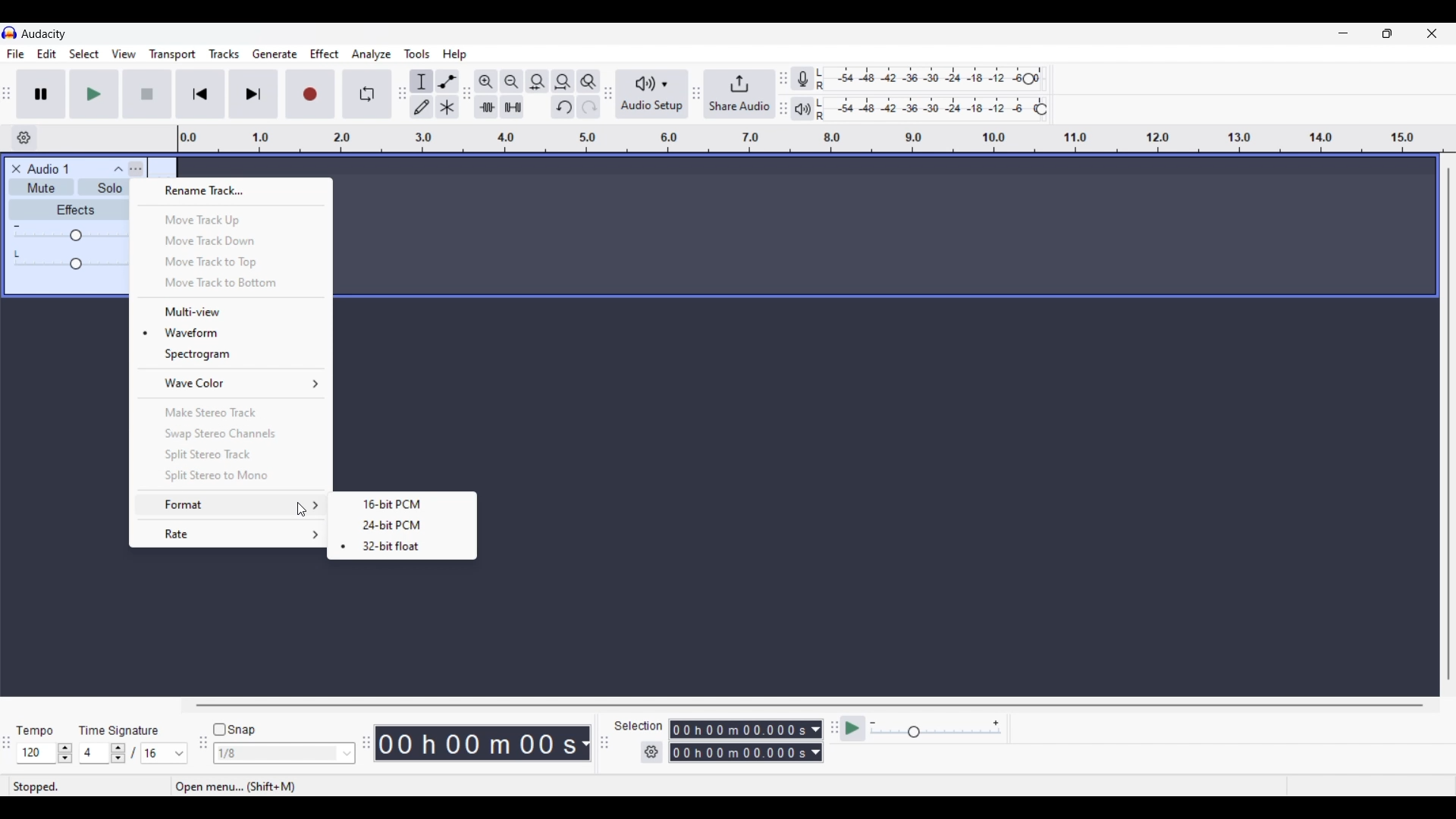 This screenshot has height=819, width=1456. What do you see at coordinates (94, 93) in the screenshot?
I see `Play/Play once` at bounding box center [94, 93].